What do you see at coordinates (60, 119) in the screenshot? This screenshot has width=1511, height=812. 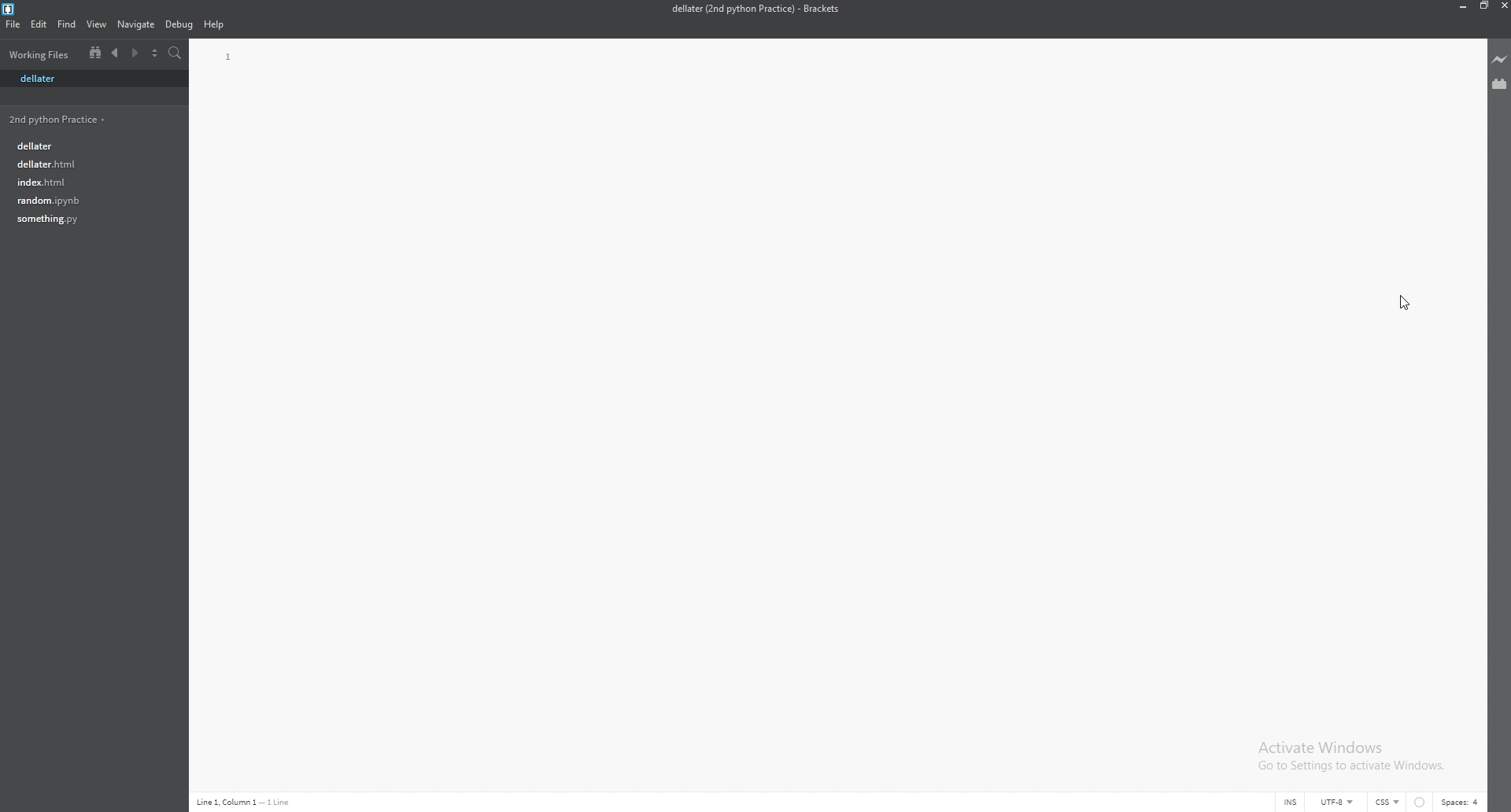 I see `folder` at bounding box center [60, 119].